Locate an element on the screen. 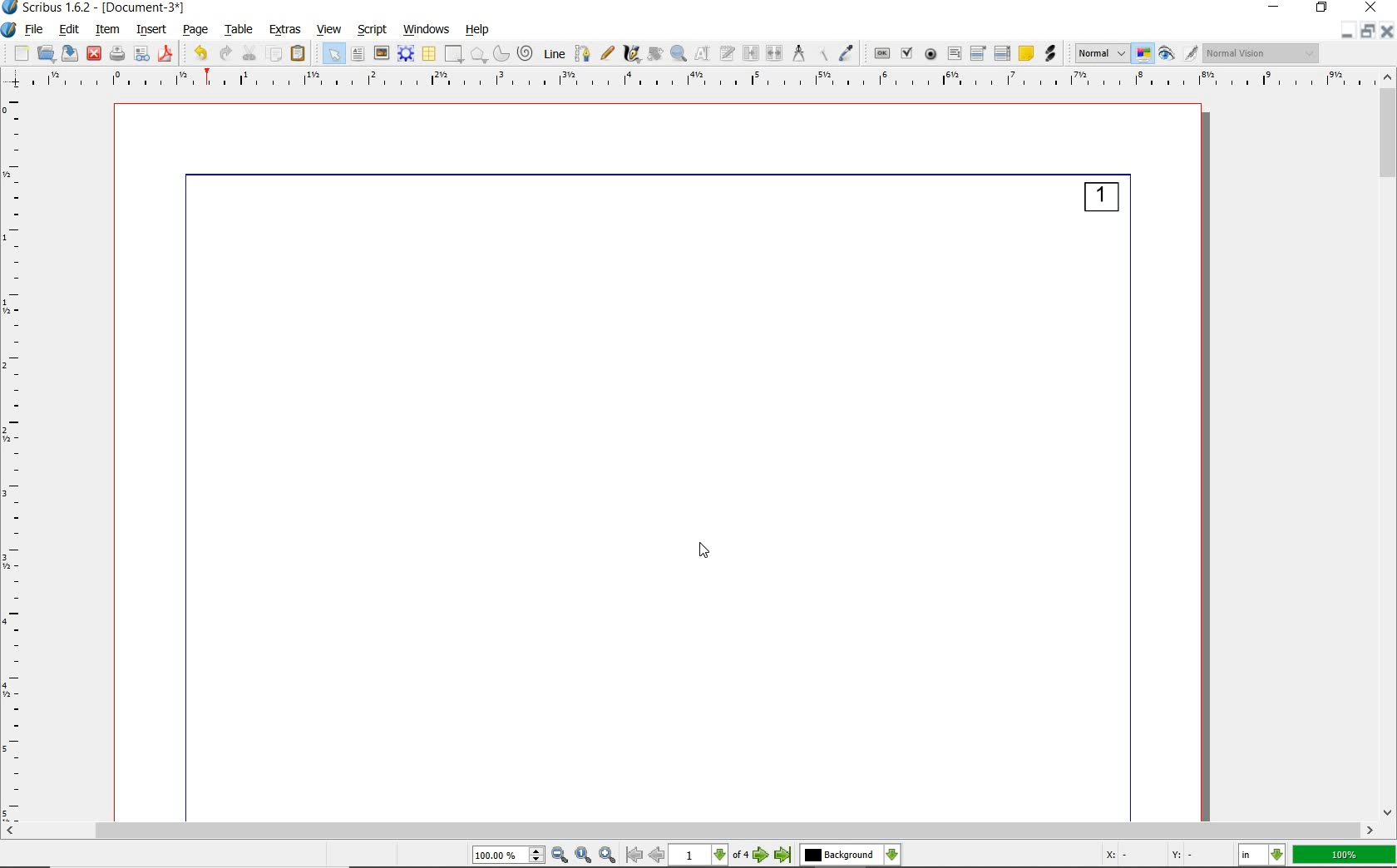  calligraphic line is located at coordinates (632, 55).